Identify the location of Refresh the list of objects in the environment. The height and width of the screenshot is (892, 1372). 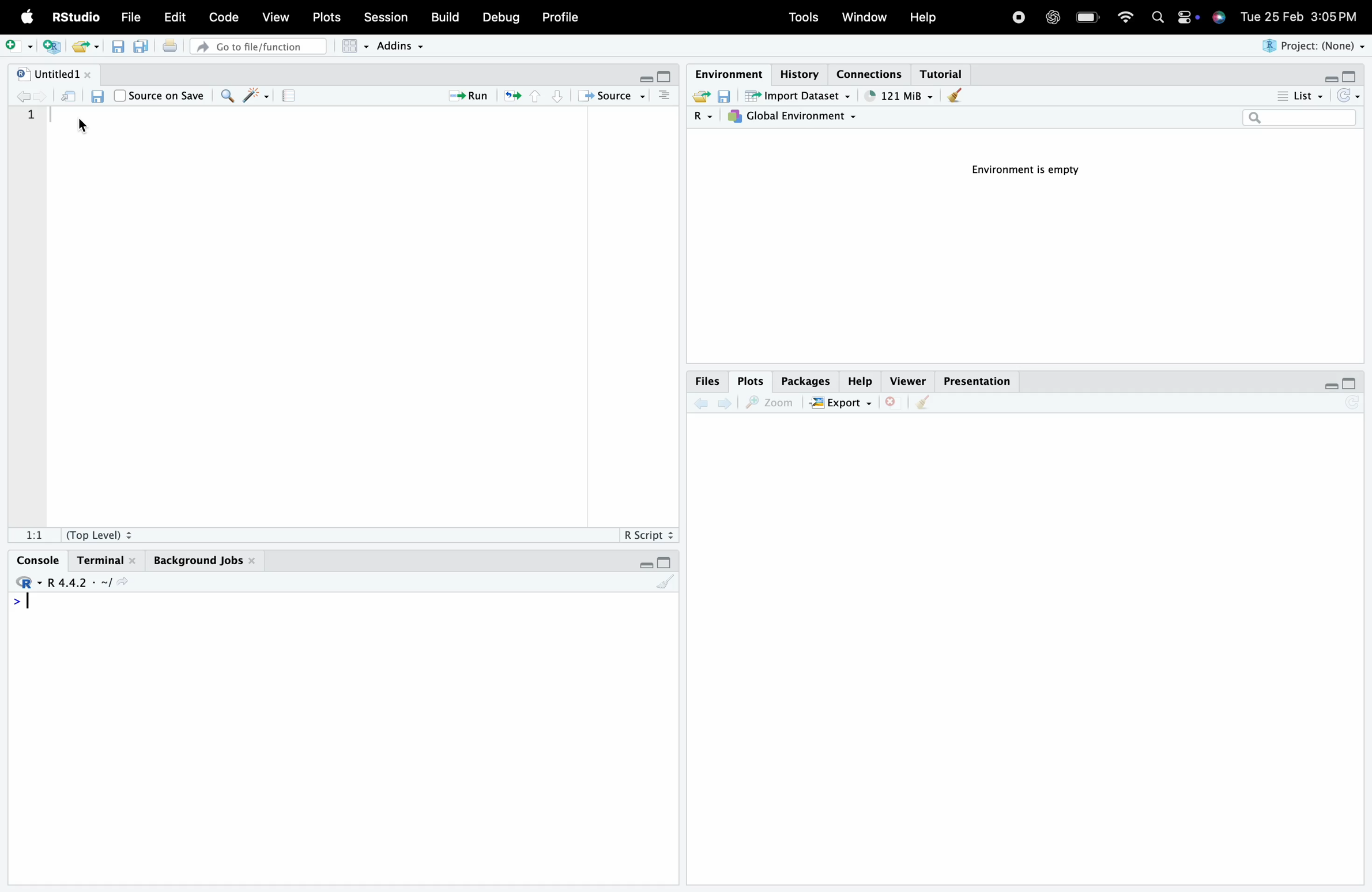
(1348, 97).